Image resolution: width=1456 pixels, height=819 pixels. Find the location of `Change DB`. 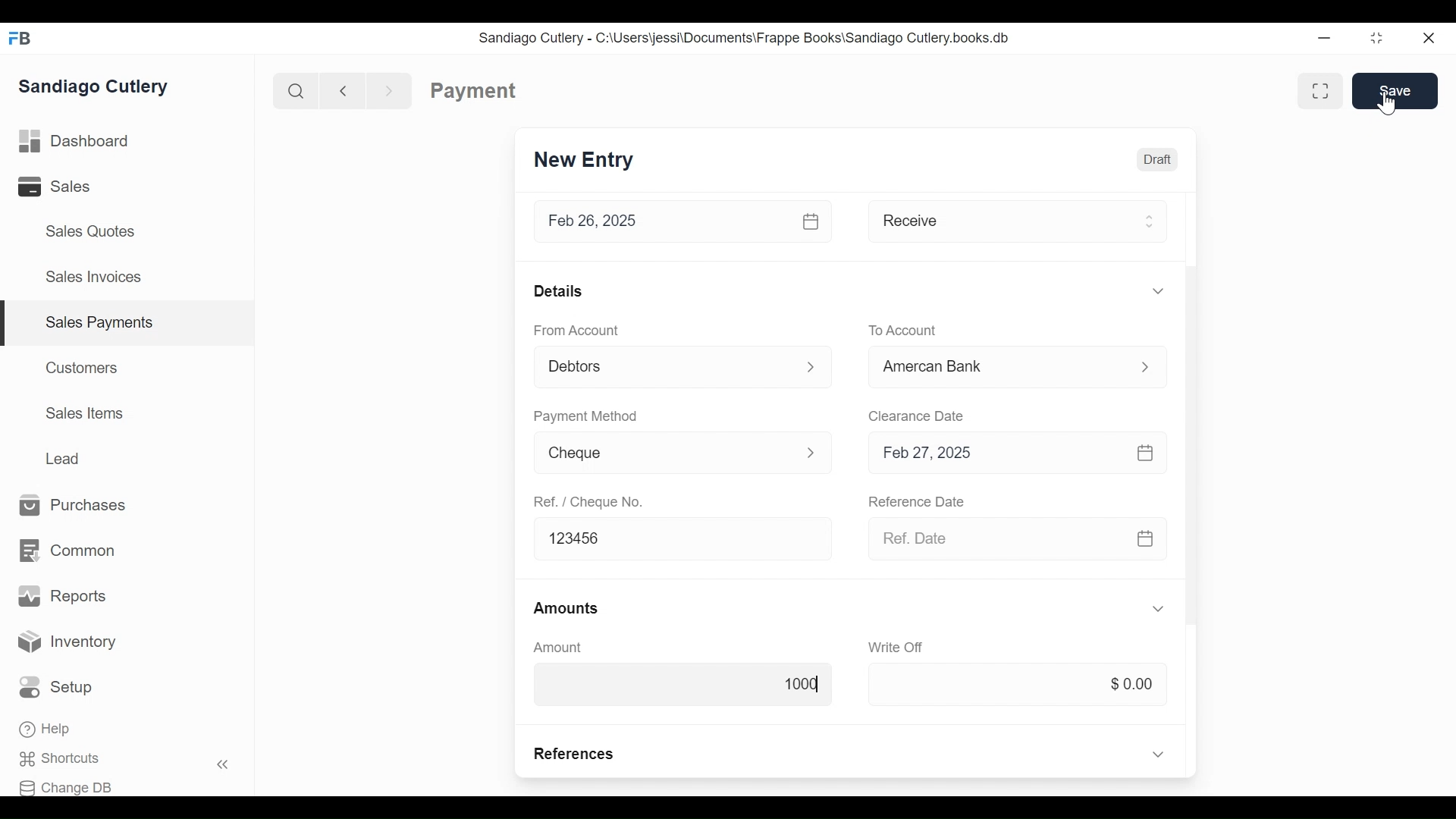

Change DB is located at coordinates (71, 786).